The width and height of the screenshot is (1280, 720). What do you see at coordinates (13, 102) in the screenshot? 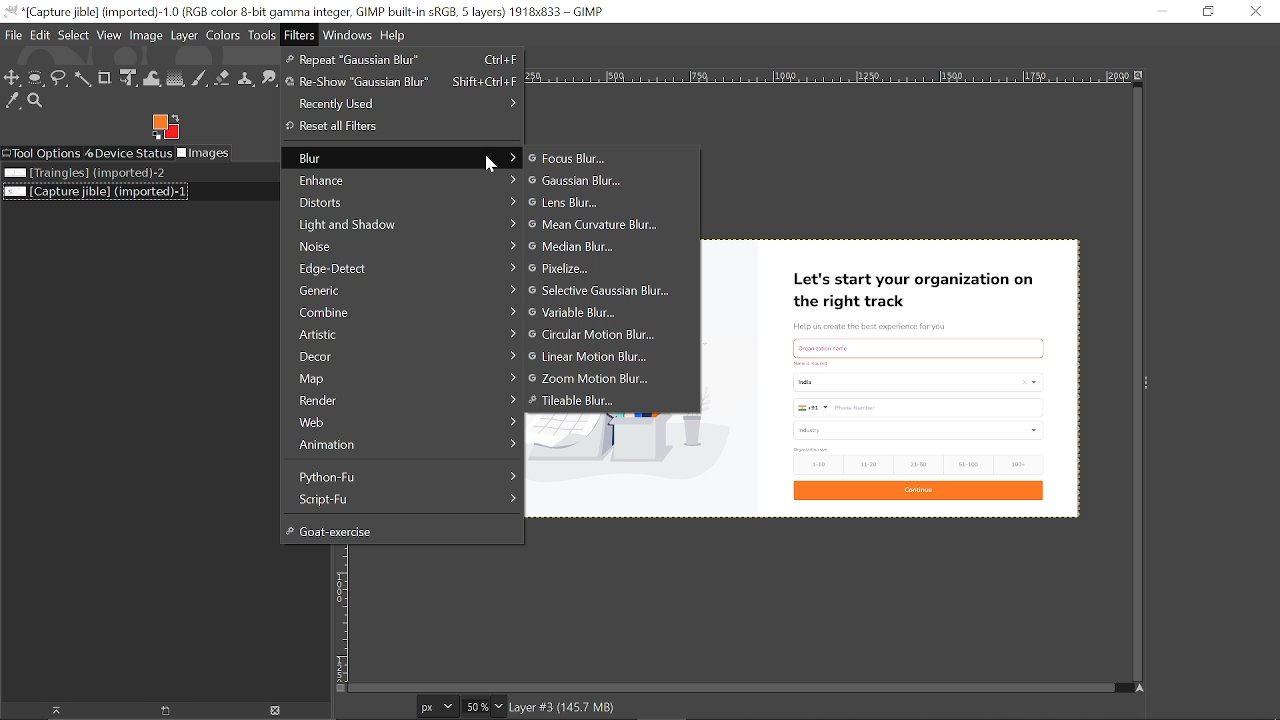
I see `Color picker tool` at bounding box center [13, 102].